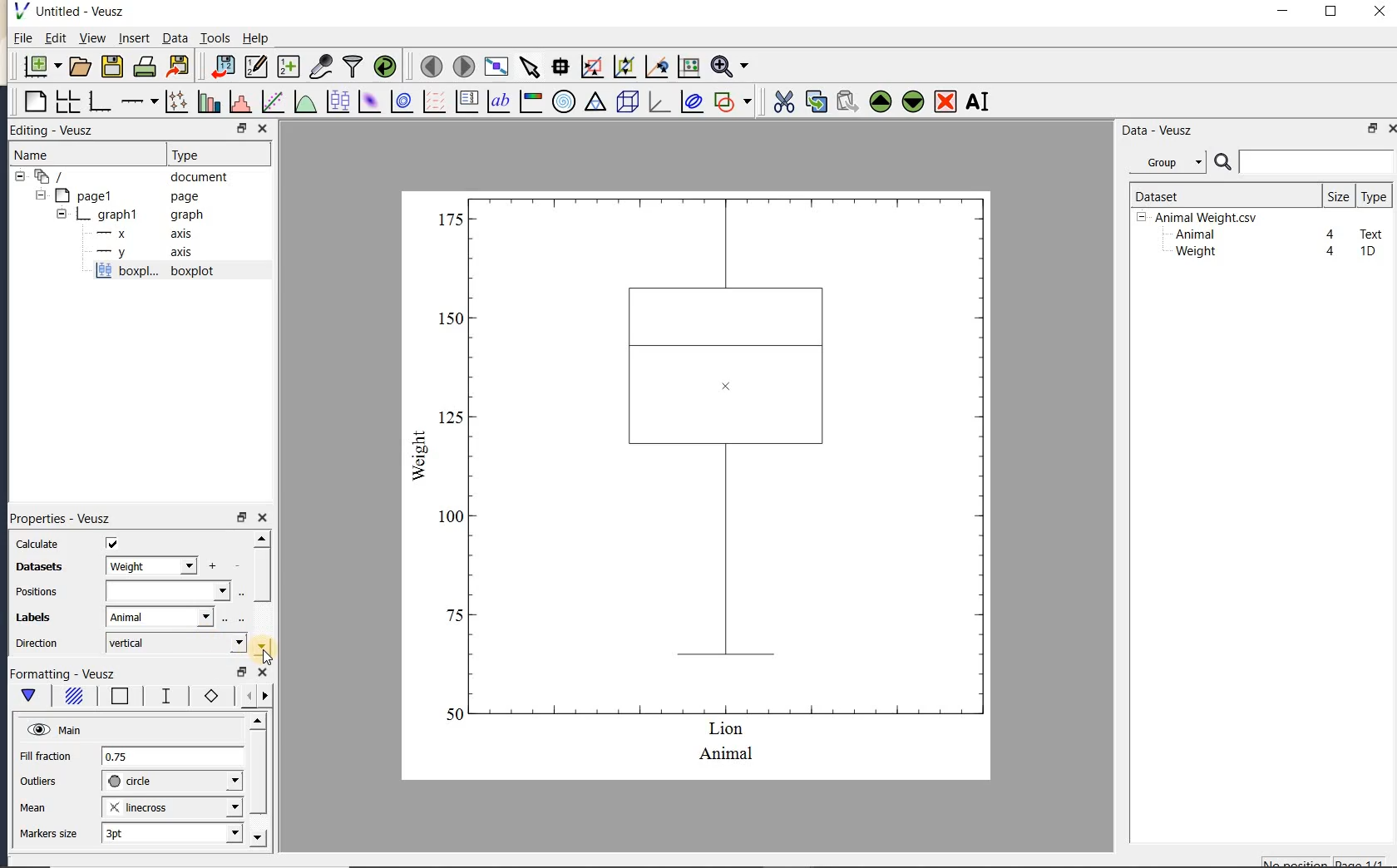 Image resolution: width=1397 pixels, height=868 pixels. Describe the element at coordinates (36, 594) in the screenshot. I see `positions` at that location.